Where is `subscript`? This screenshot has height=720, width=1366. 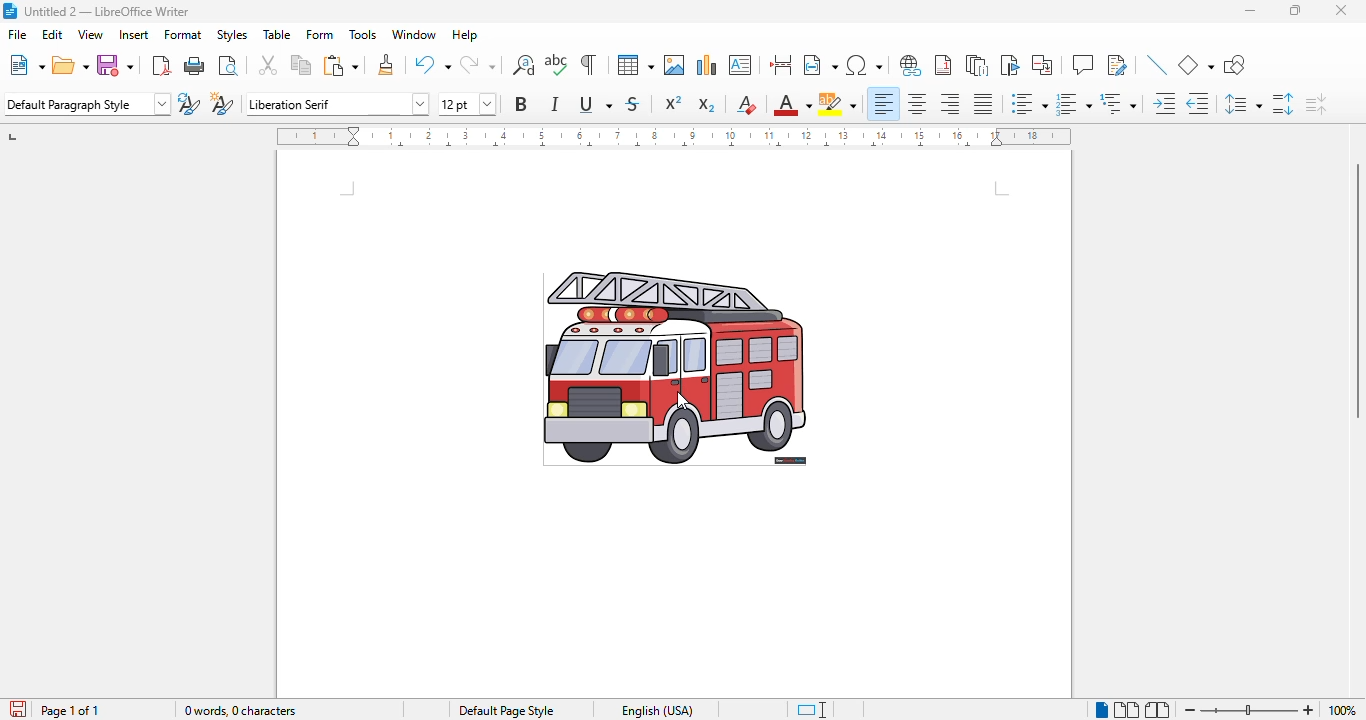 subscript is located at coordinates (707, 105).